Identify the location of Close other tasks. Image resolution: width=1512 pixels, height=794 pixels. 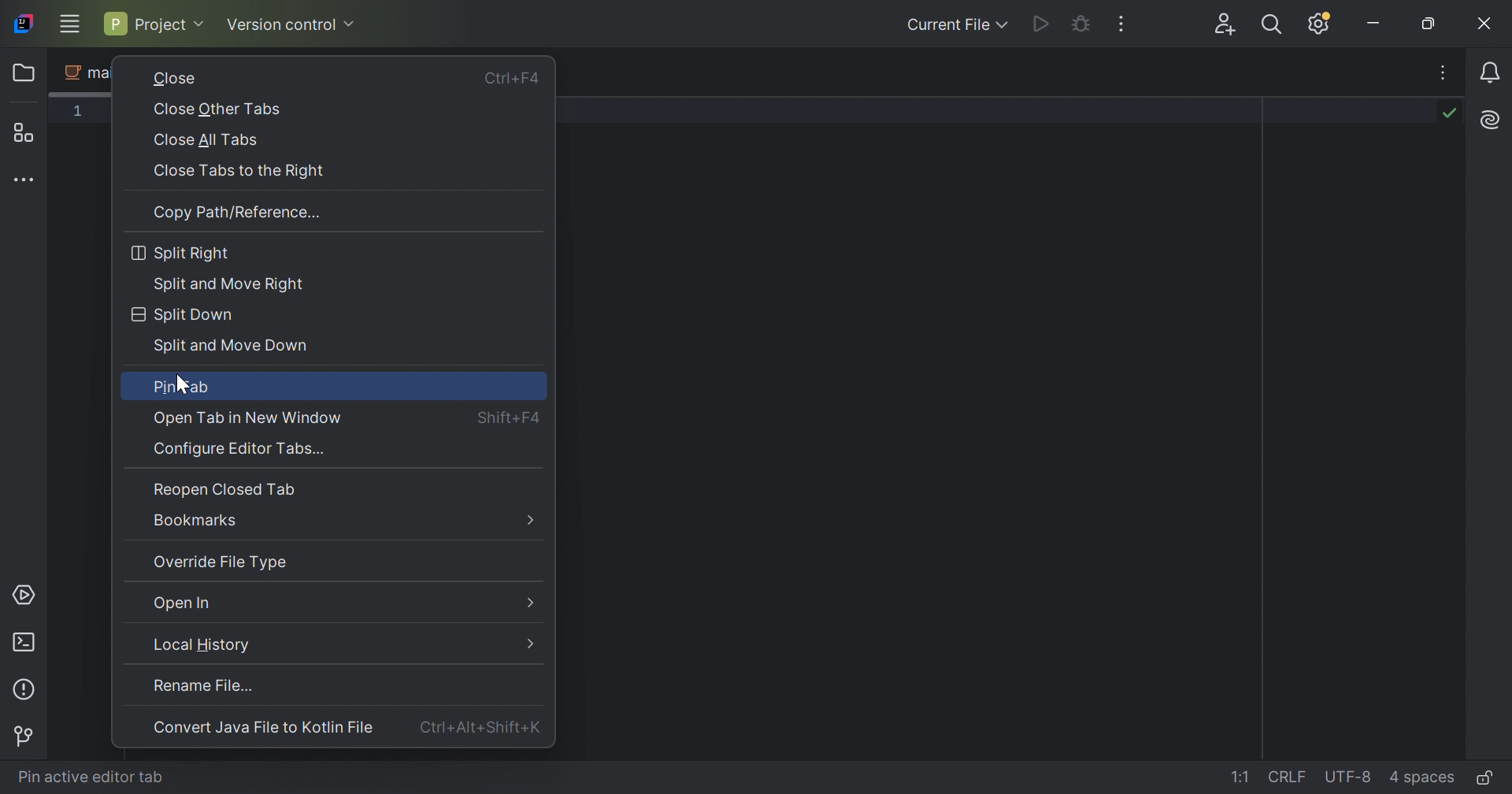
(217, 109).